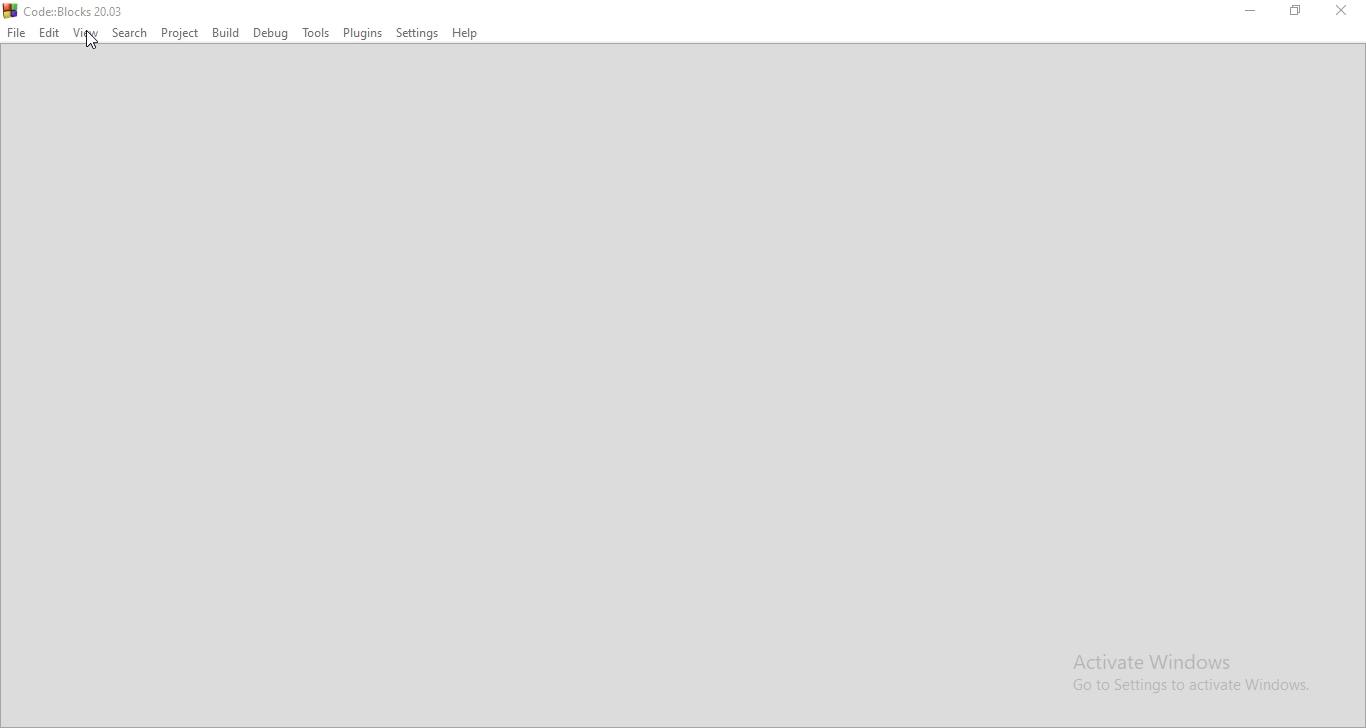  Describe the element at coordinates (225, 33) in the screenshot. I see `Build ` at that location.